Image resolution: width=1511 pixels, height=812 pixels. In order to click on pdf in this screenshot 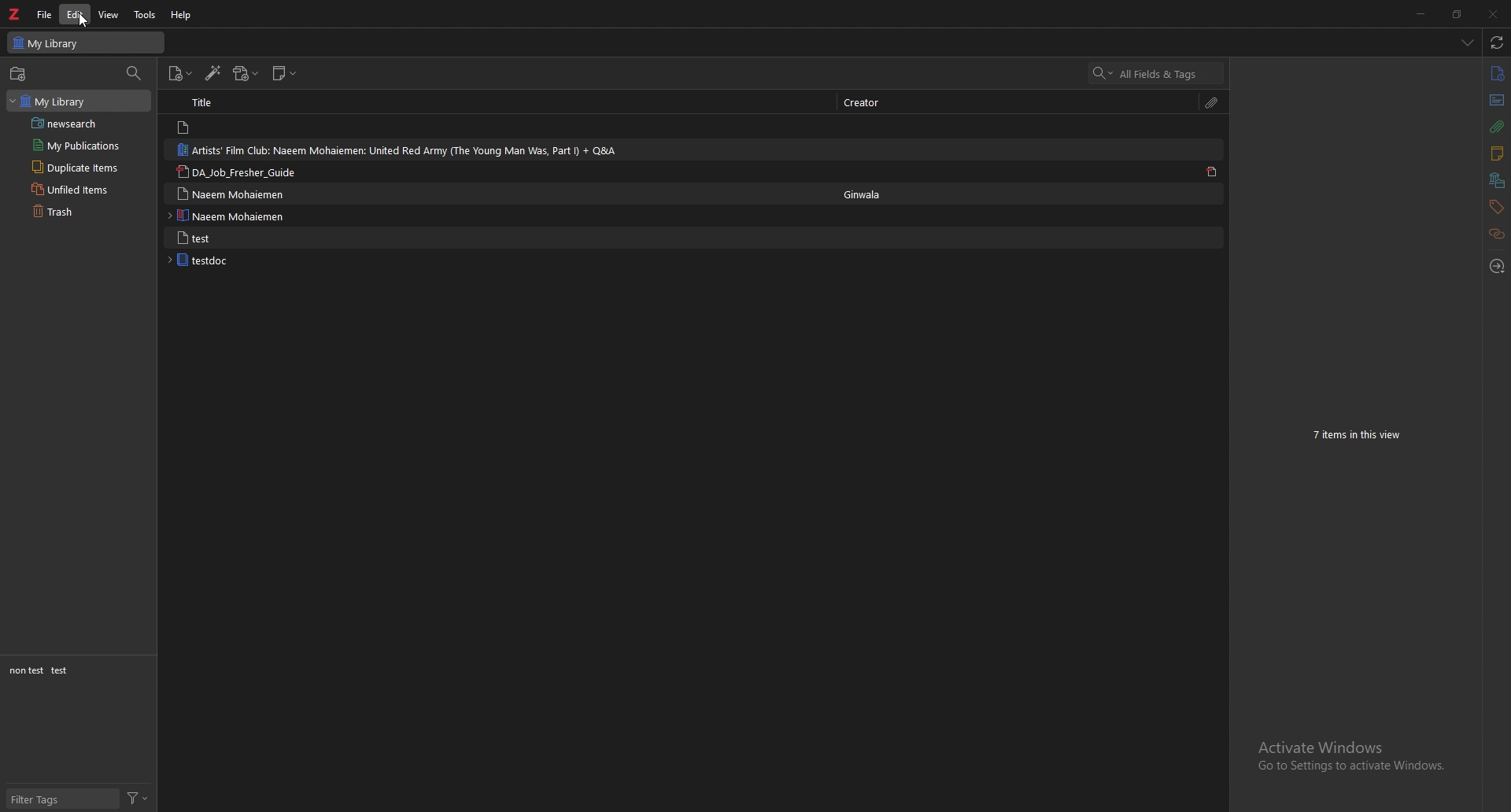, I will do `click(1214, 173)`.